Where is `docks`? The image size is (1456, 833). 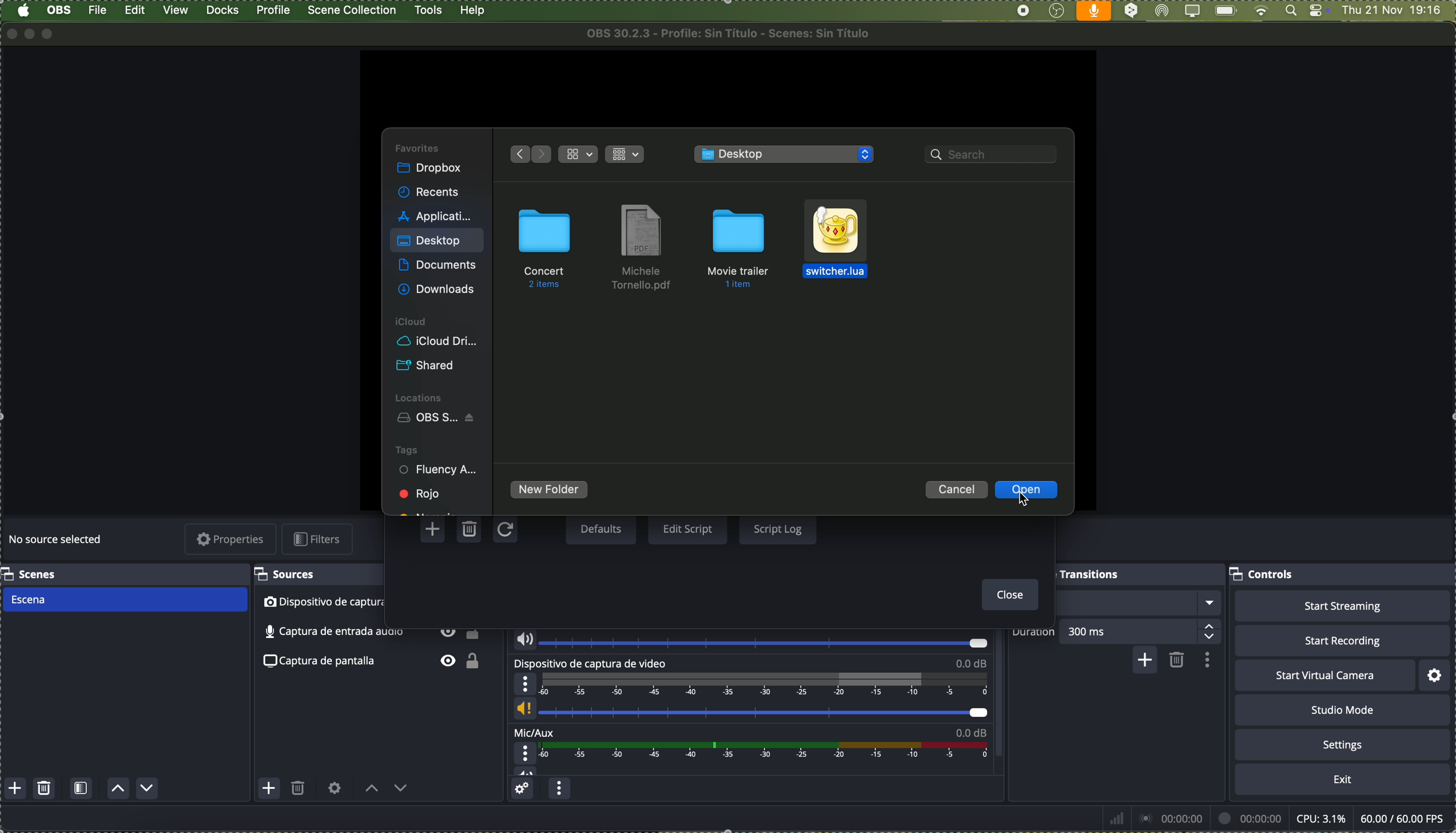
docks is located at coordinates (223, 11).